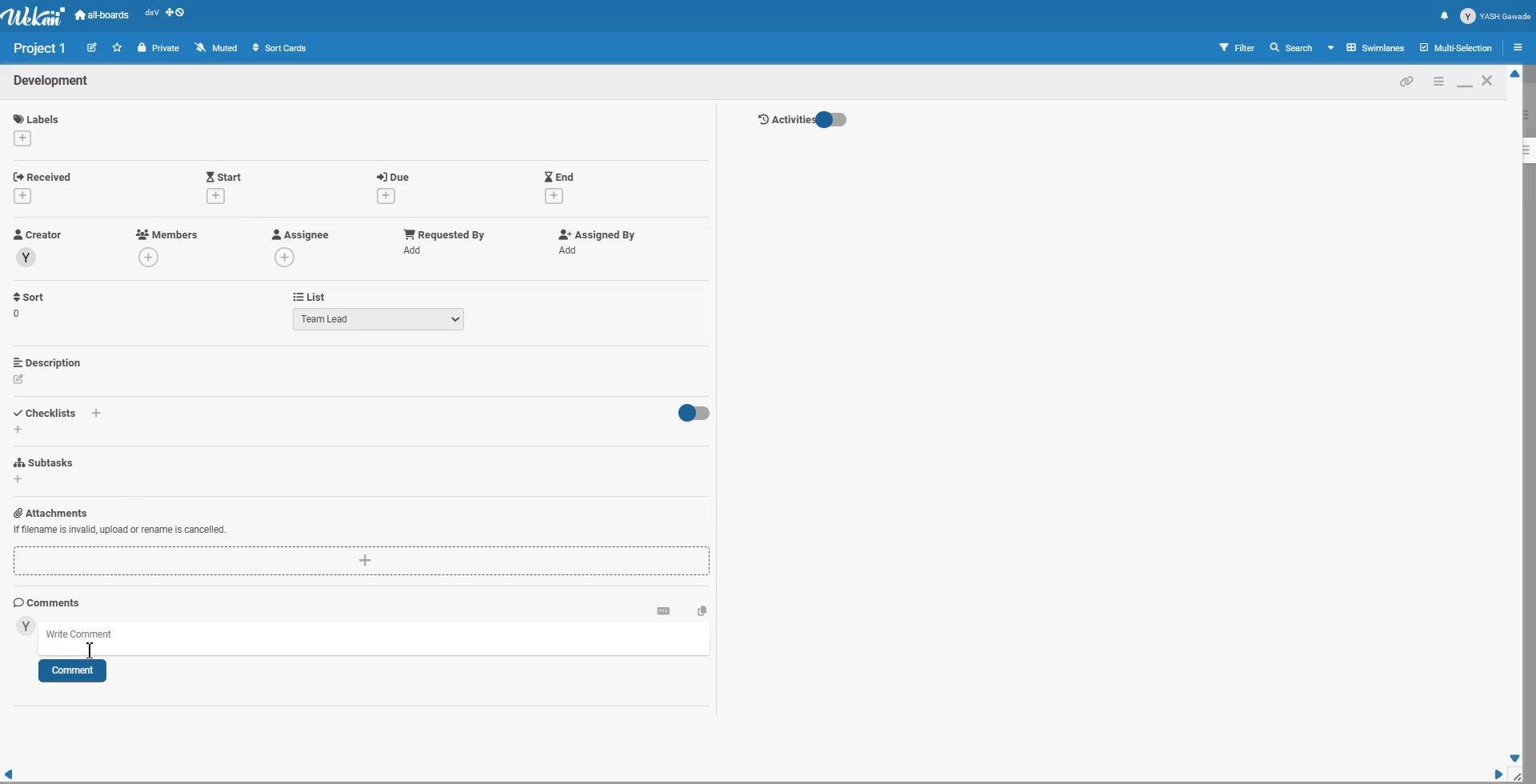 This screenshot has height=784, width=1536. What do you see at coordinates (46, 462) in the screenshot?
I see `Add Subtasks` at bounding box center [46, 462].